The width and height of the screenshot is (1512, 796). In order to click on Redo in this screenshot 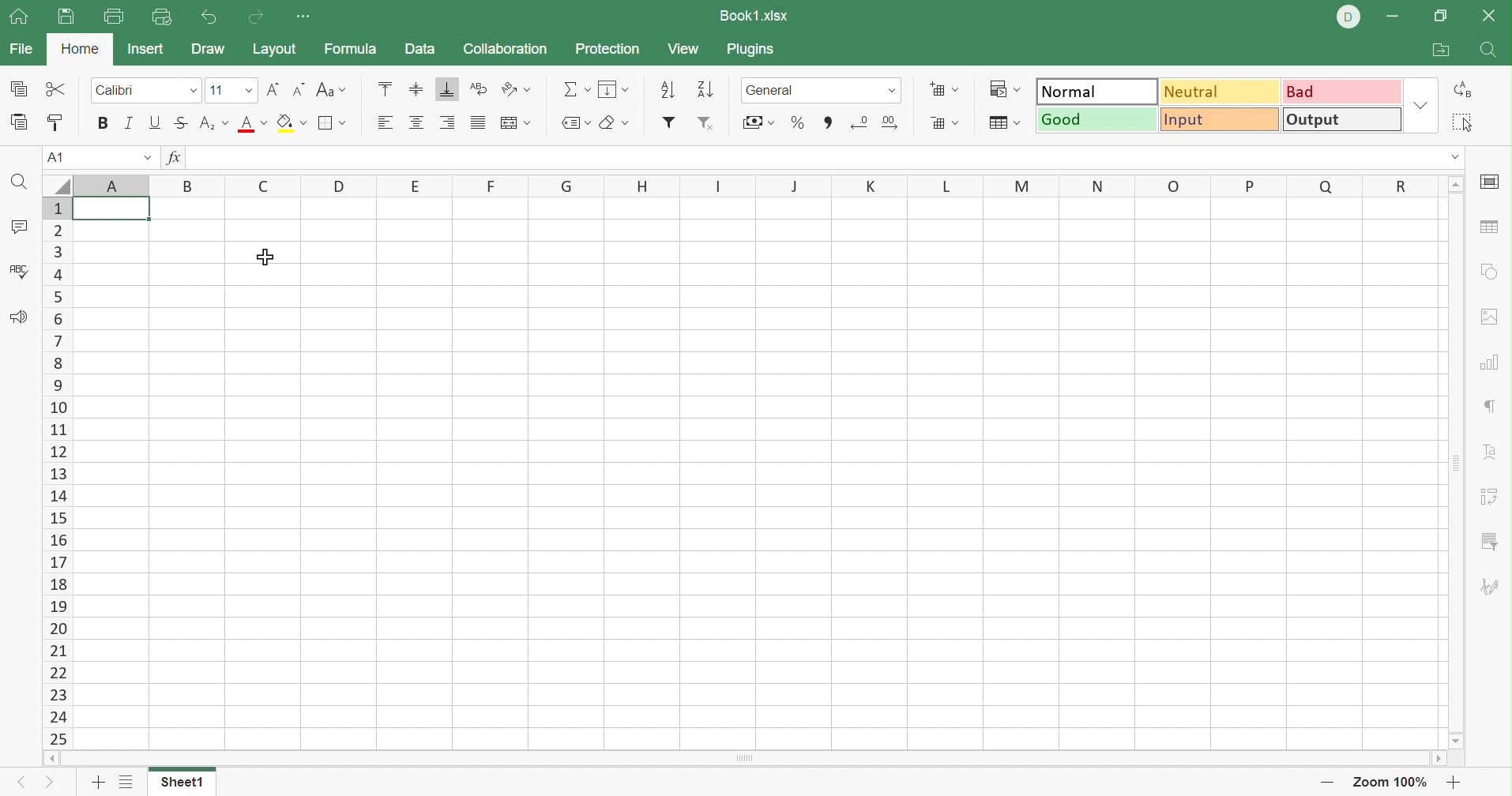, I will do `click(260, 17)`.